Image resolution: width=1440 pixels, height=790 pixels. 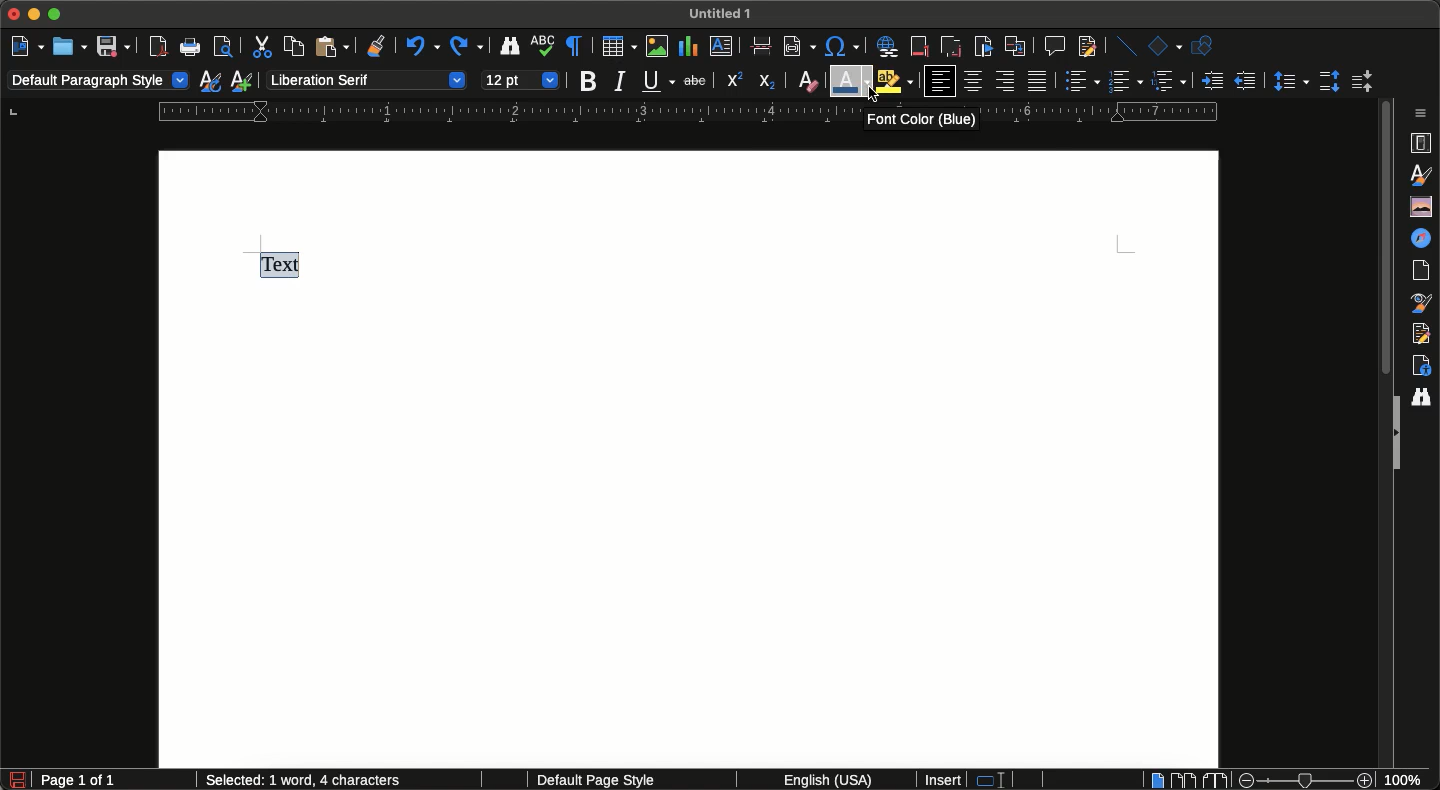 What do you see at coordinates (316, 781) in the screenshot?
I see `Word and character count` at bounding box center [316, 781].